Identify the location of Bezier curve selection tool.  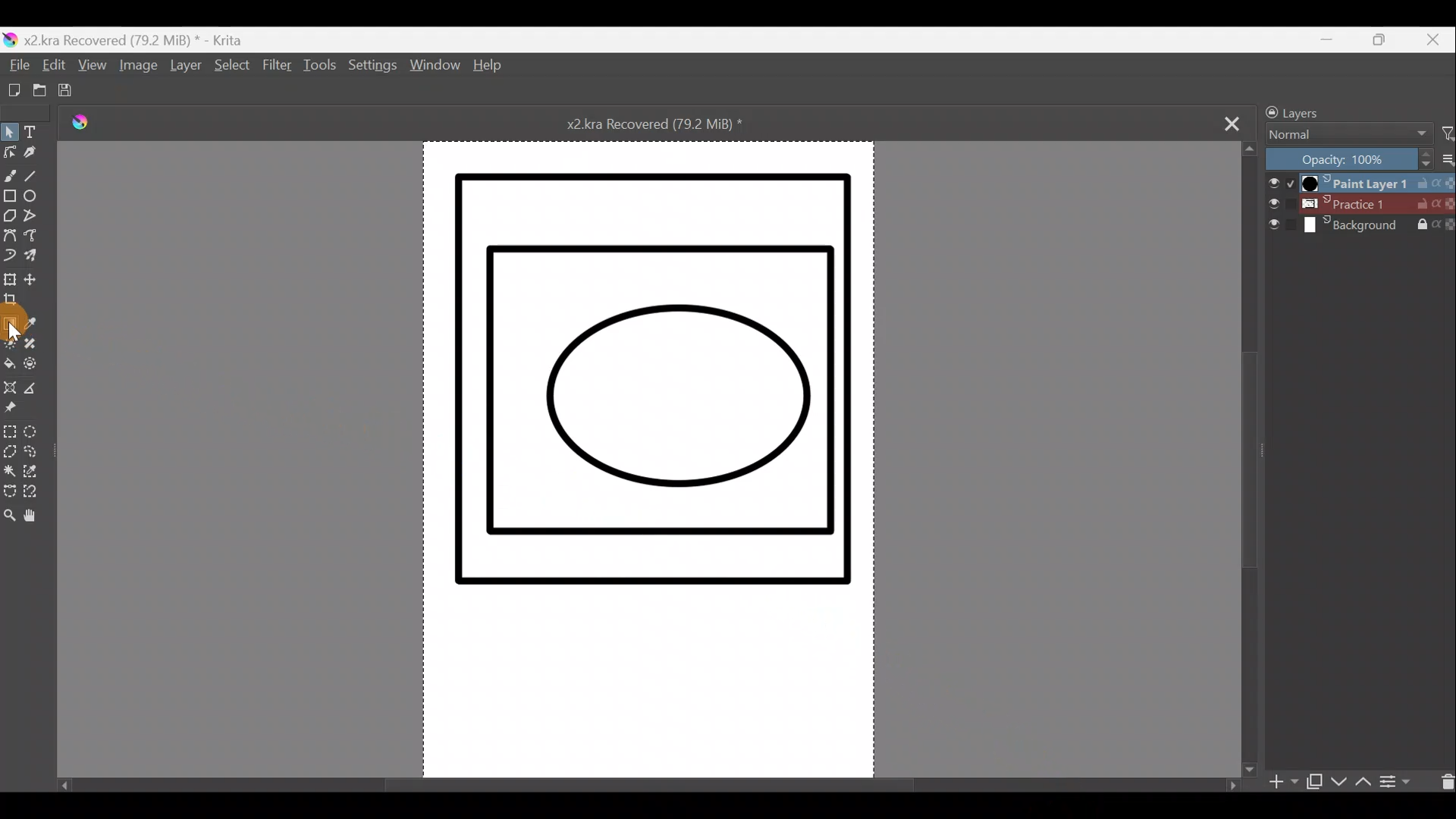
(9, 493).